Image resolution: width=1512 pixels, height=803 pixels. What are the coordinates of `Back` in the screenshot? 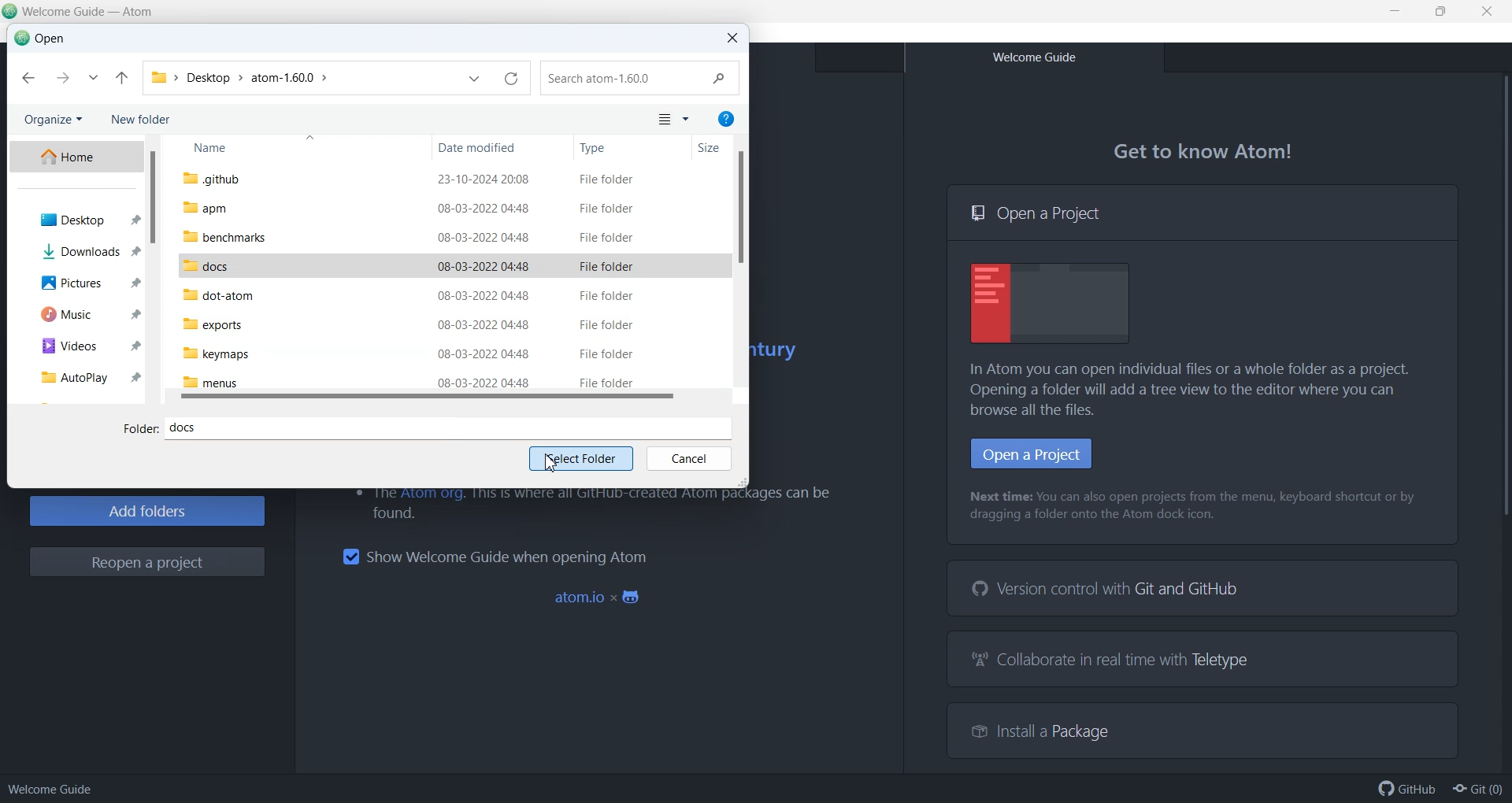 It's located at (28, 79).